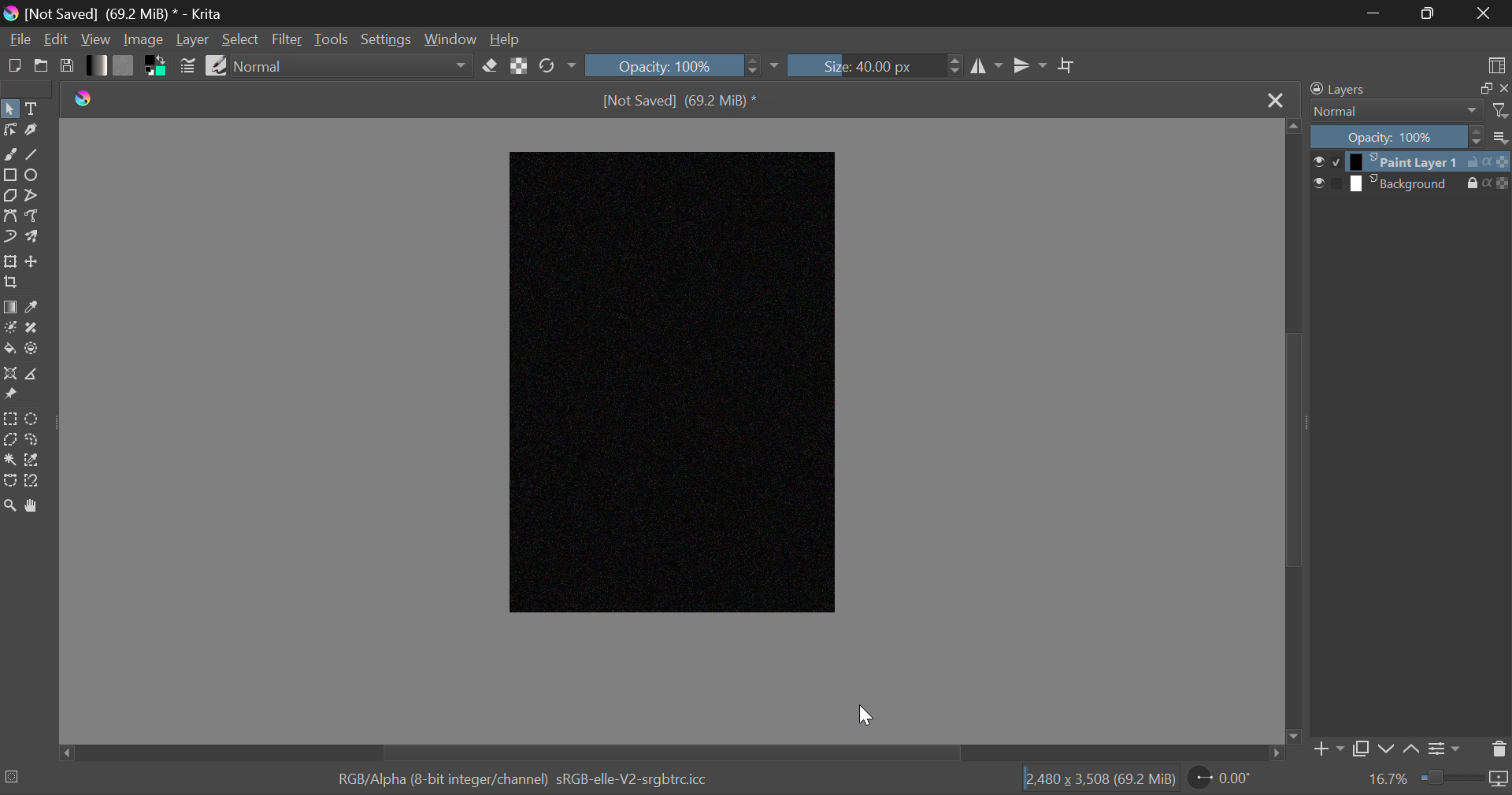  What do you see at coordinates (143, 41) in the screenshot?
I see `Image` at bounding box center [143, 41].